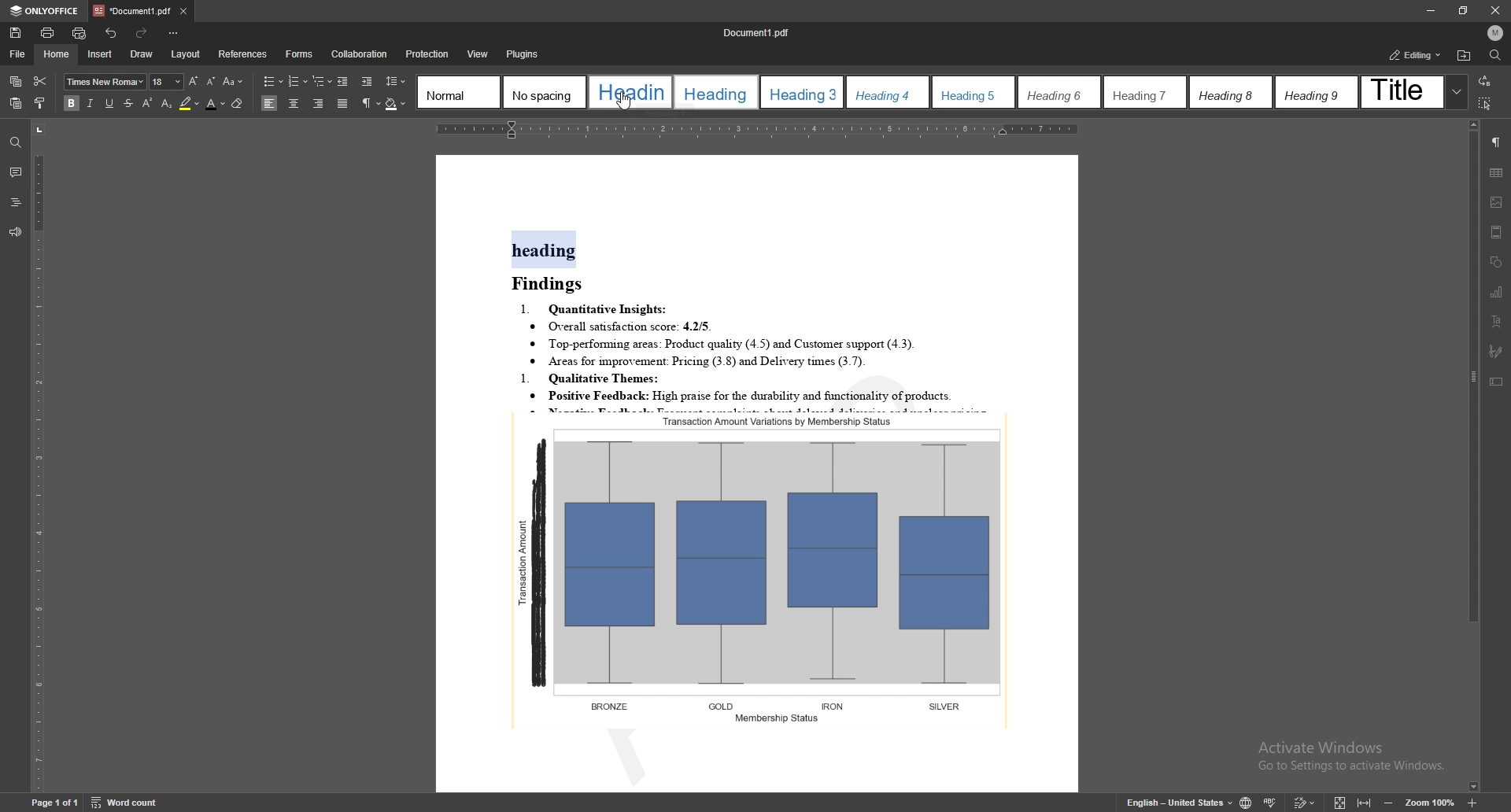 Image resolution: width=1511 pixels, height=812 pixels. What do you see at coordinates (233, 82) in the screenshot?
I see `change case` at bounding box center [233, 82].